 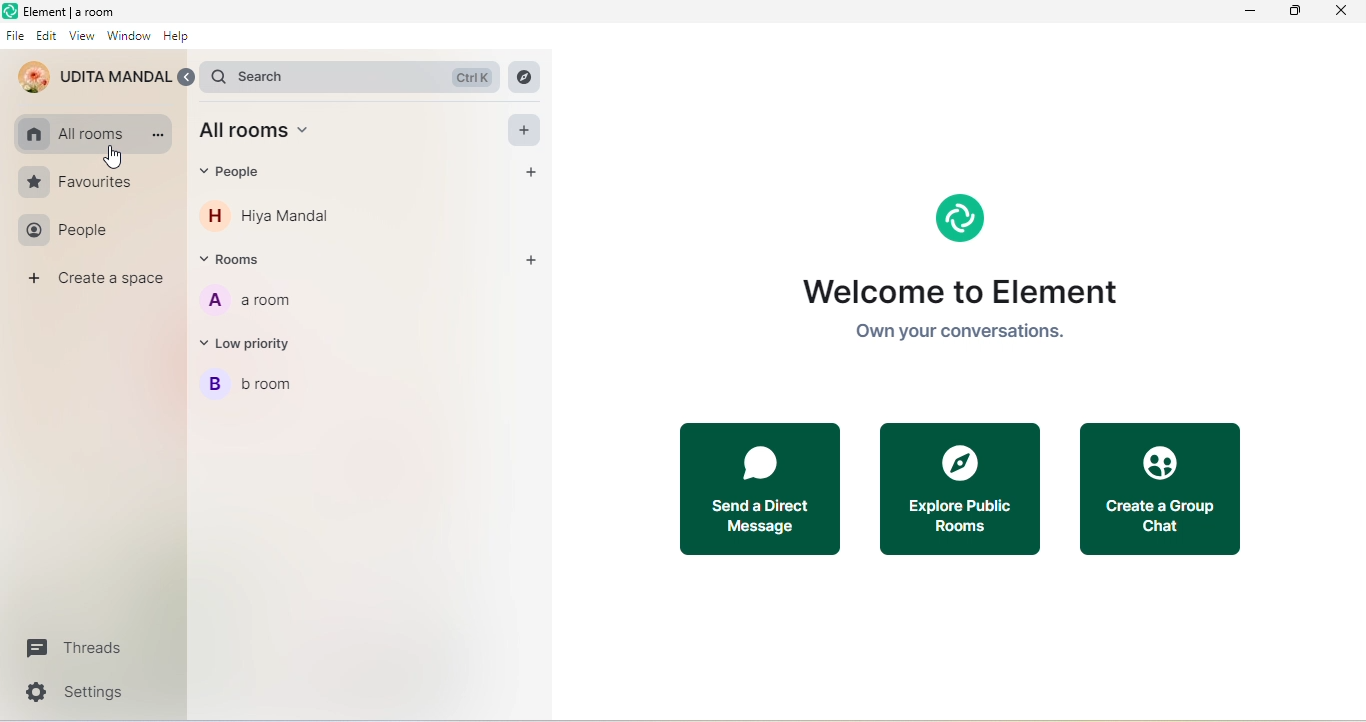 What do you see at coordinates (534, 173) in the screenshot?
I see `Add People` at bounding box center [534, 173].